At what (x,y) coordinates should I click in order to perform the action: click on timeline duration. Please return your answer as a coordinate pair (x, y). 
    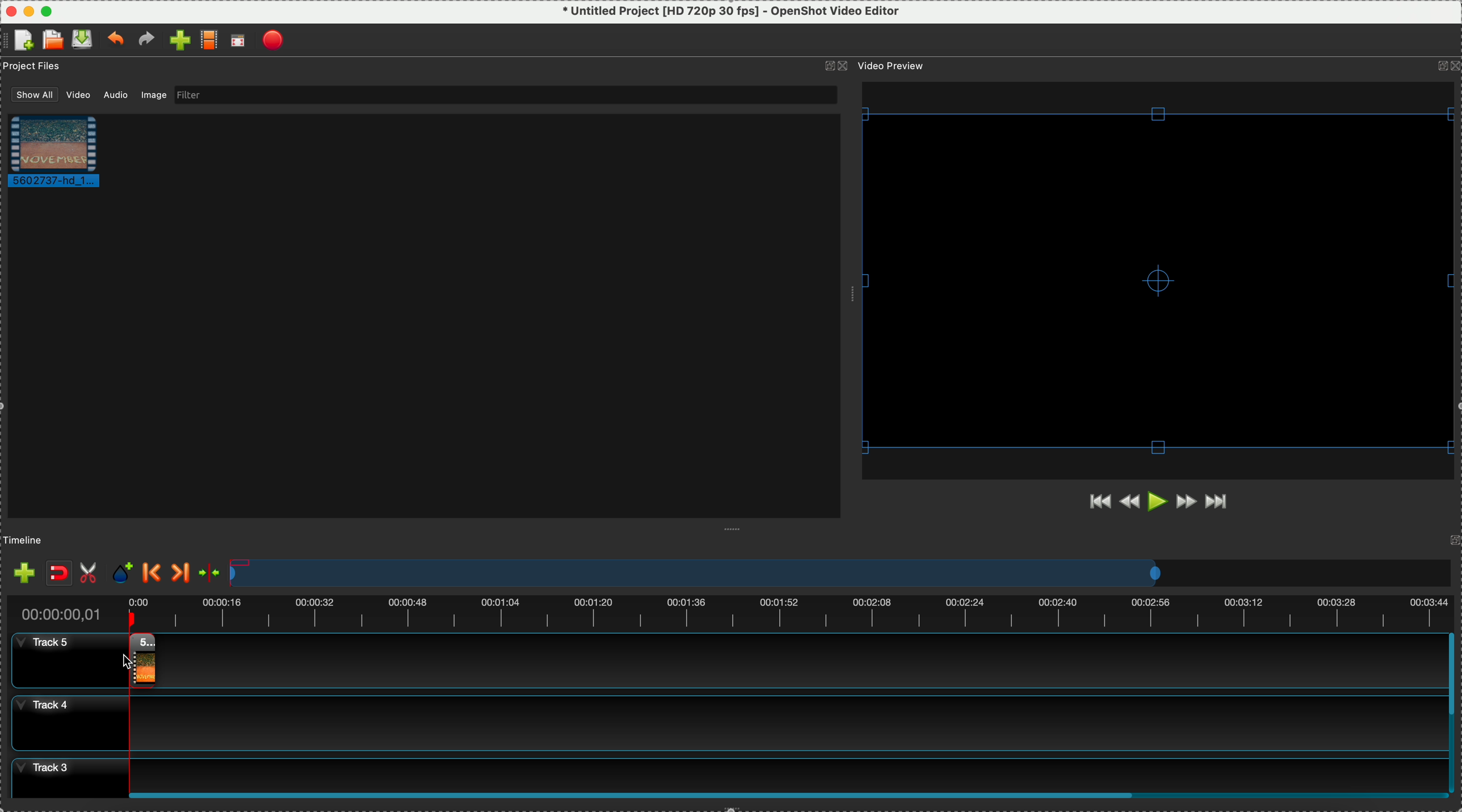
    Looking at the image, I should click on (728, 610).